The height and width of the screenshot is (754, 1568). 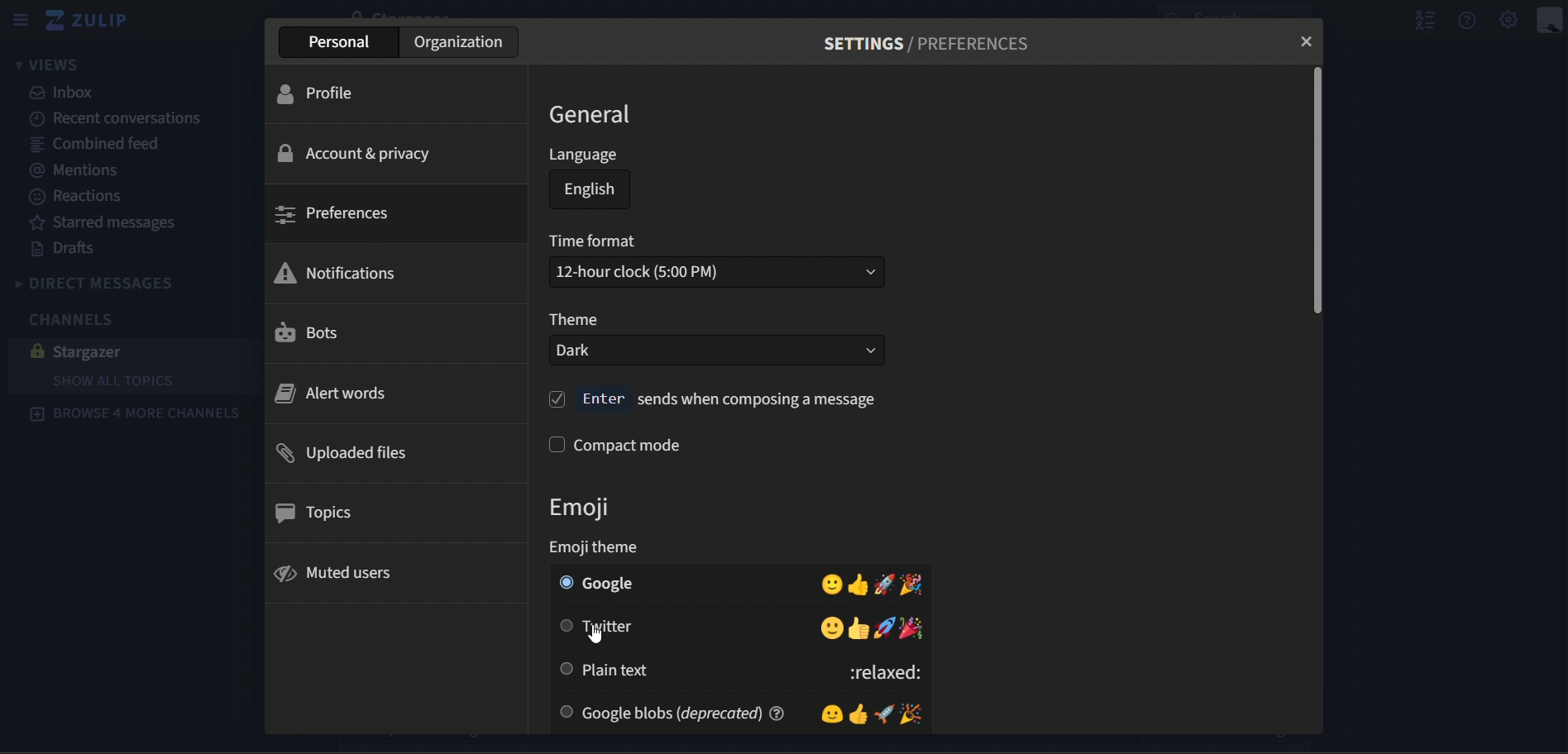 I want to click on plain text, so click(x=742, y=671).